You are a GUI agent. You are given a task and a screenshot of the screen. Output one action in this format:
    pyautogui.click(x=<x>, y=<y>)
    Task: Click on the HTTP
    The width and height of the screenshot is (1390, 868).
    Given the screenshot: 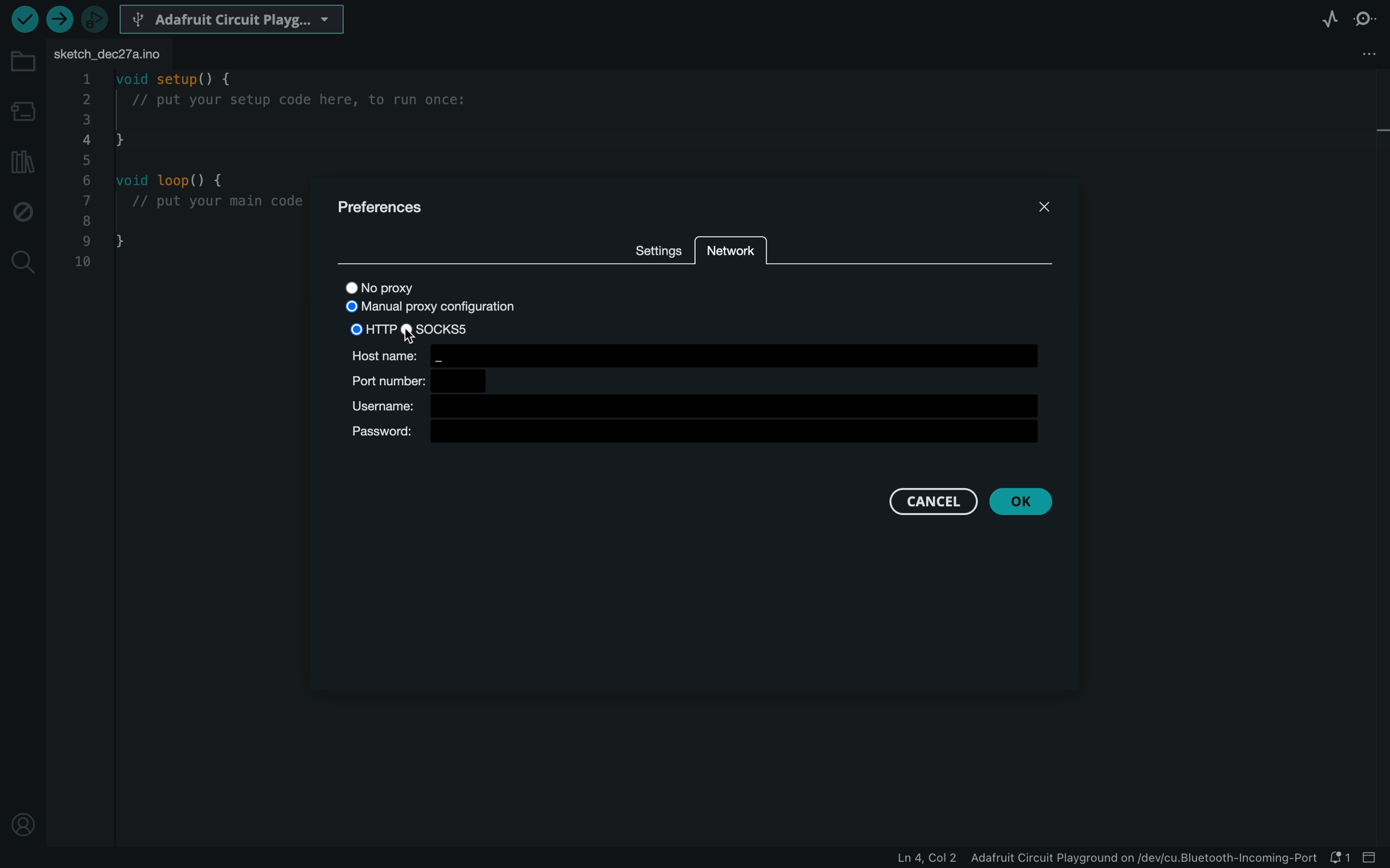 What is the action you would take?
    pyautogui.click(x=372, y=330)
    